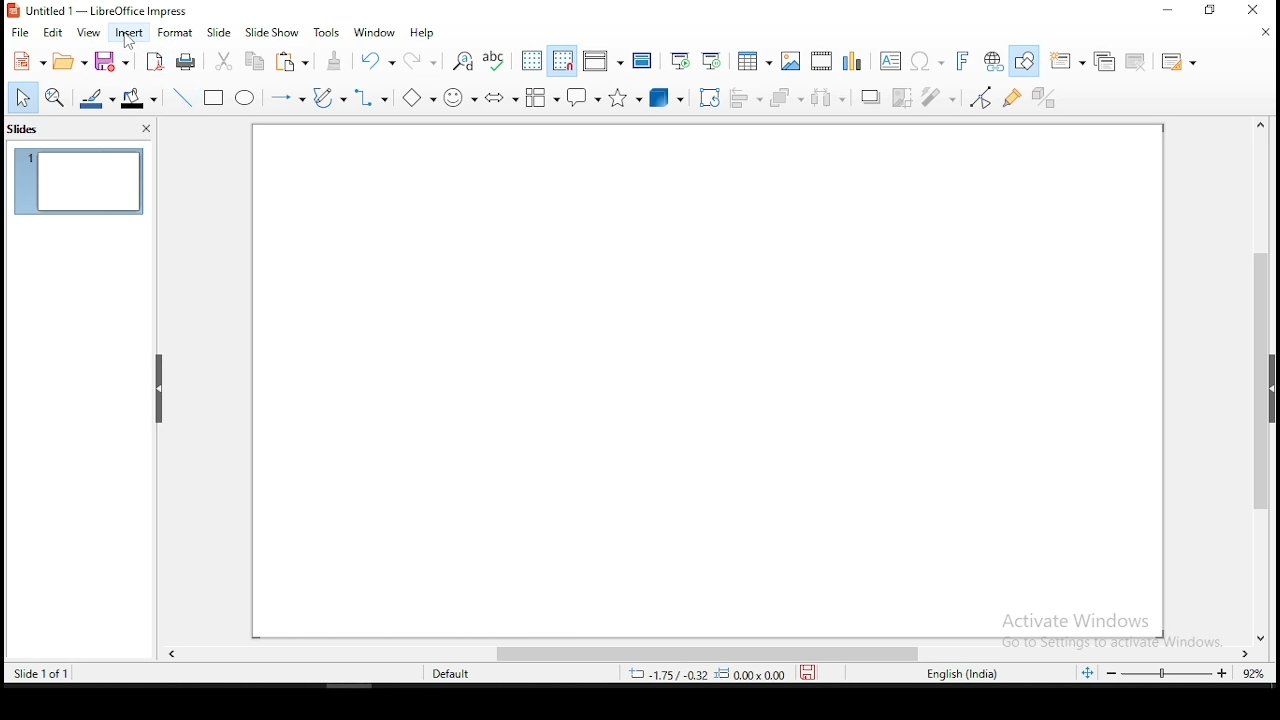 The height and width of the screenshot is (720, 1280). What do you see at coordinates (1169, 11) in the screenshot?
I see `minimize` at bounding box center [1169, 11].